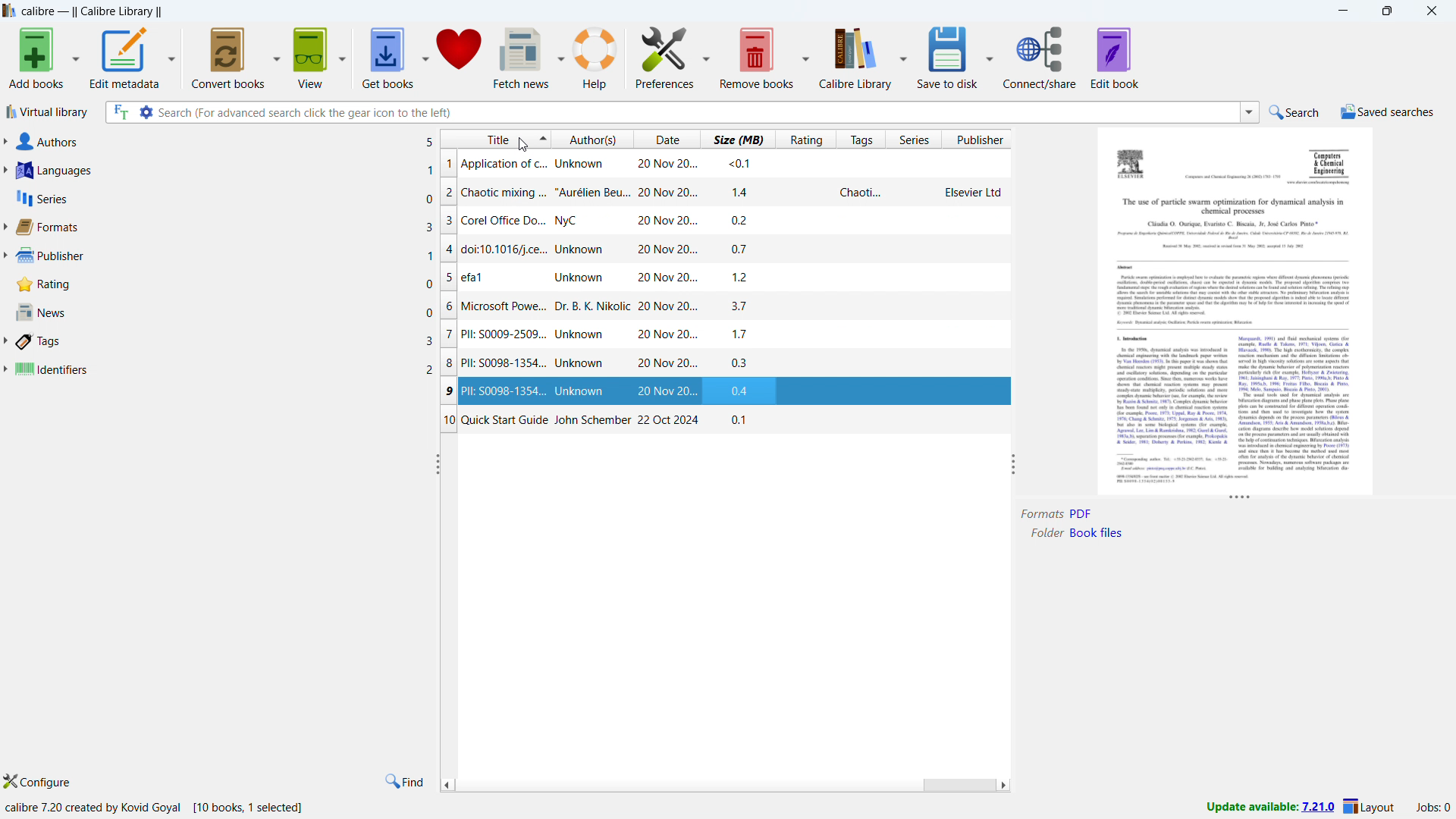  Describe the element at coordinates (1342, 9) in the screenshot. I see `minimize` at that location.